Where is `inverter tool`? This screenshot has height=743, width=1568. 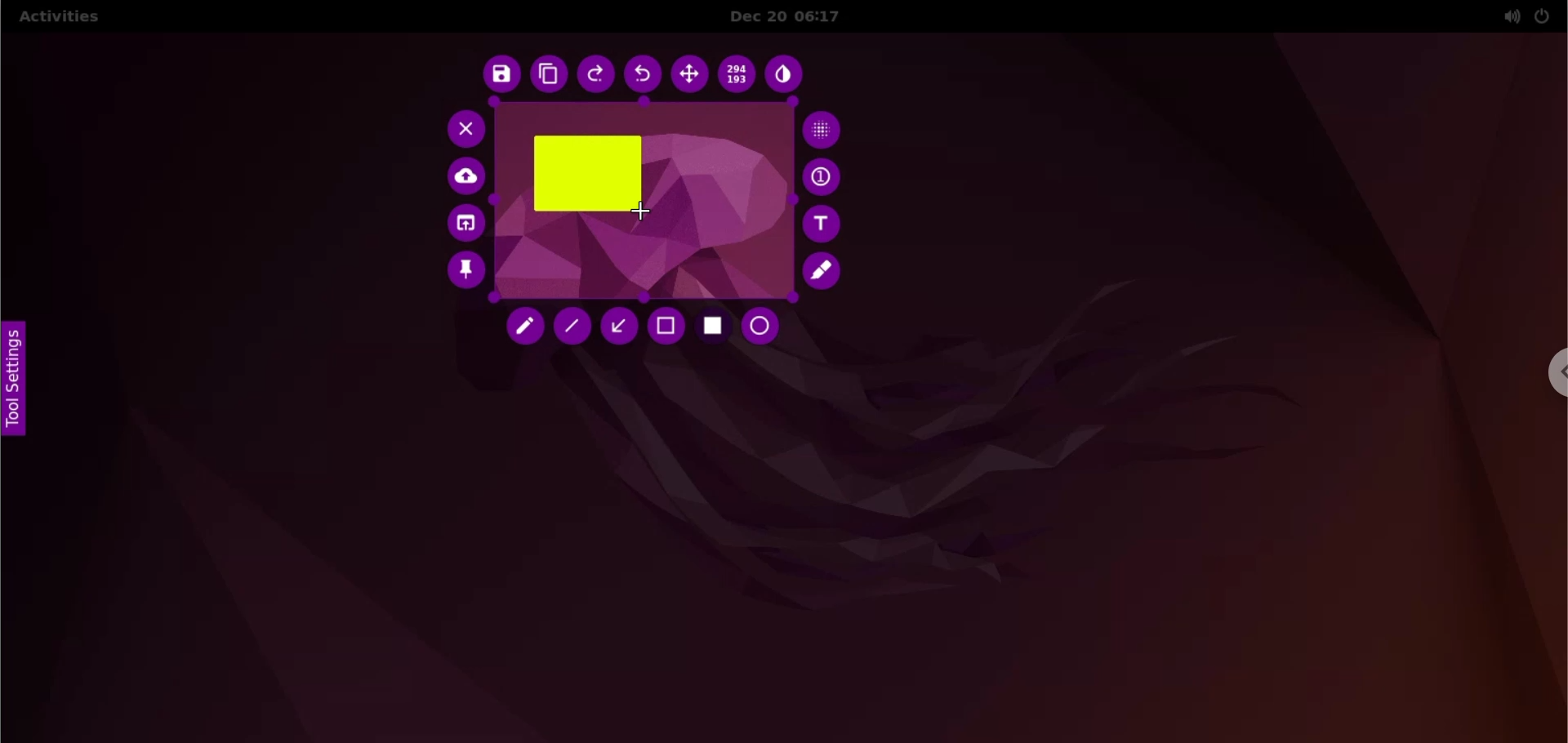 inverter tool is located at coordinates (786, 77).